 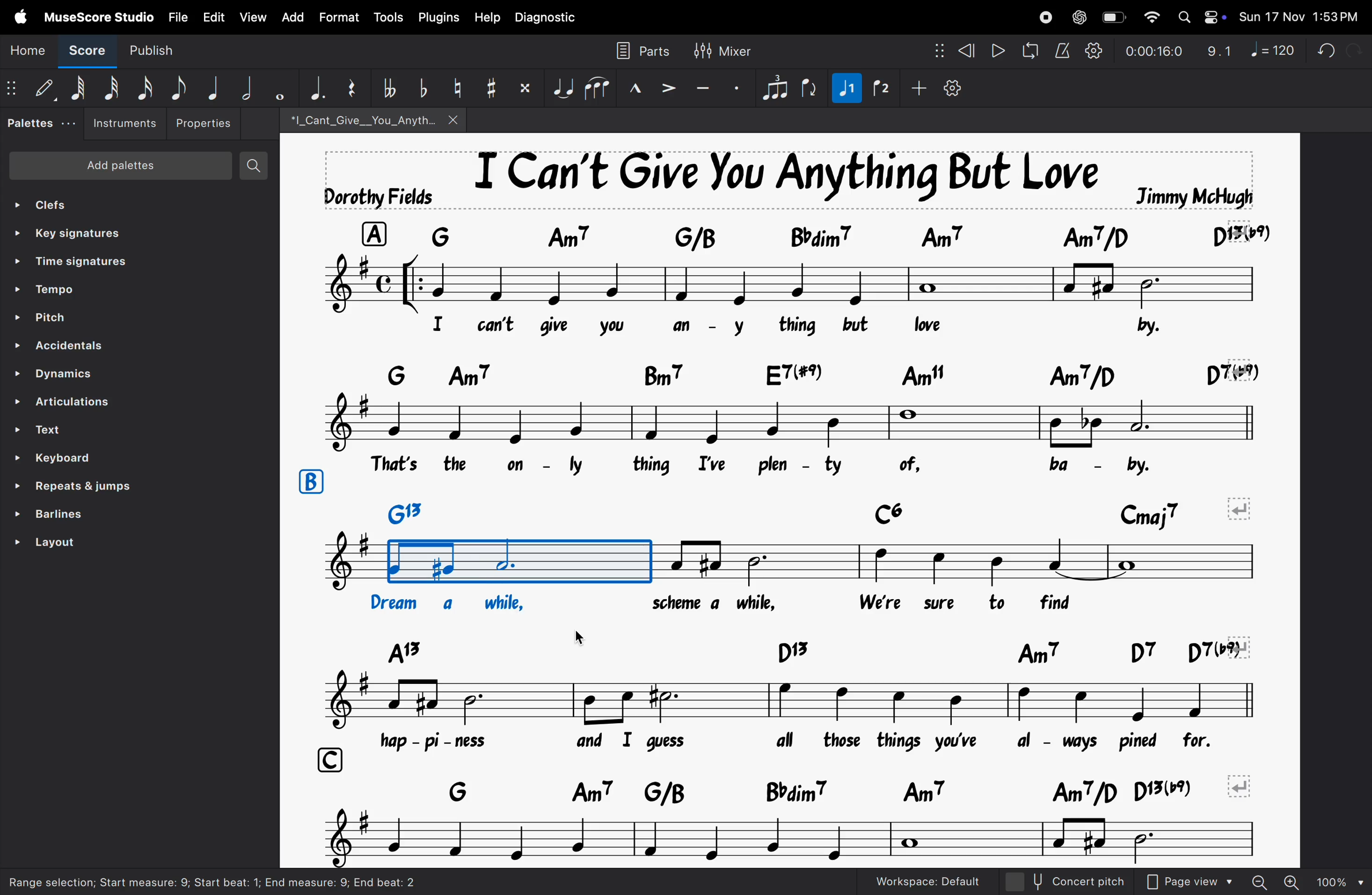 What do you see at coordinates (780, 563) in the screenshot?
I see `notes` at bounding box center [780, 563].